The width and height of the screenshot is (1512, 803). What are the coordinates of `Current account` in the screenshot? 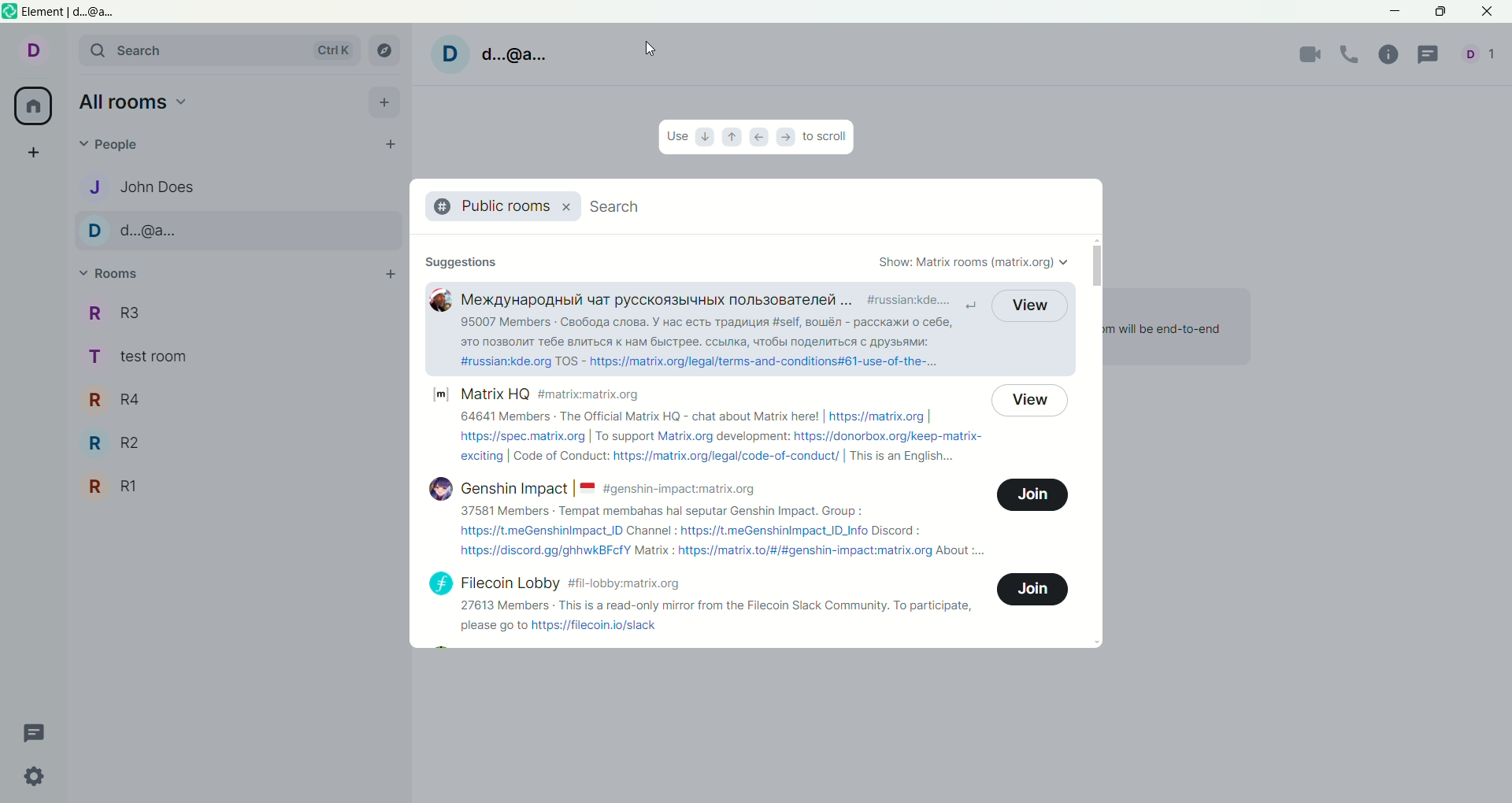 It's located at (30, 54).